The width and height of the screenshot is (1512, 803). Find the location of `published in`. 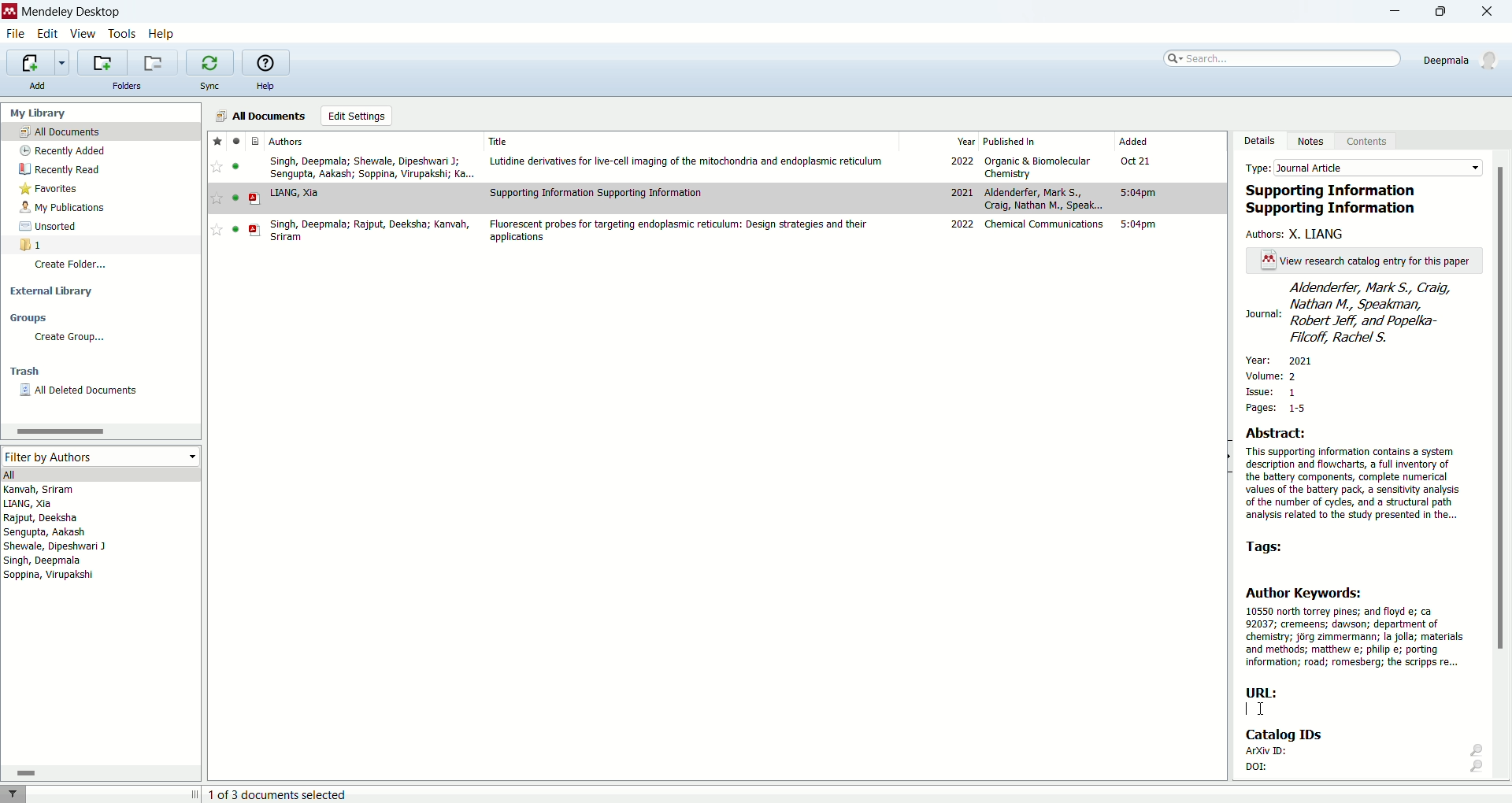

published in is located at coordinates (1011, 141).